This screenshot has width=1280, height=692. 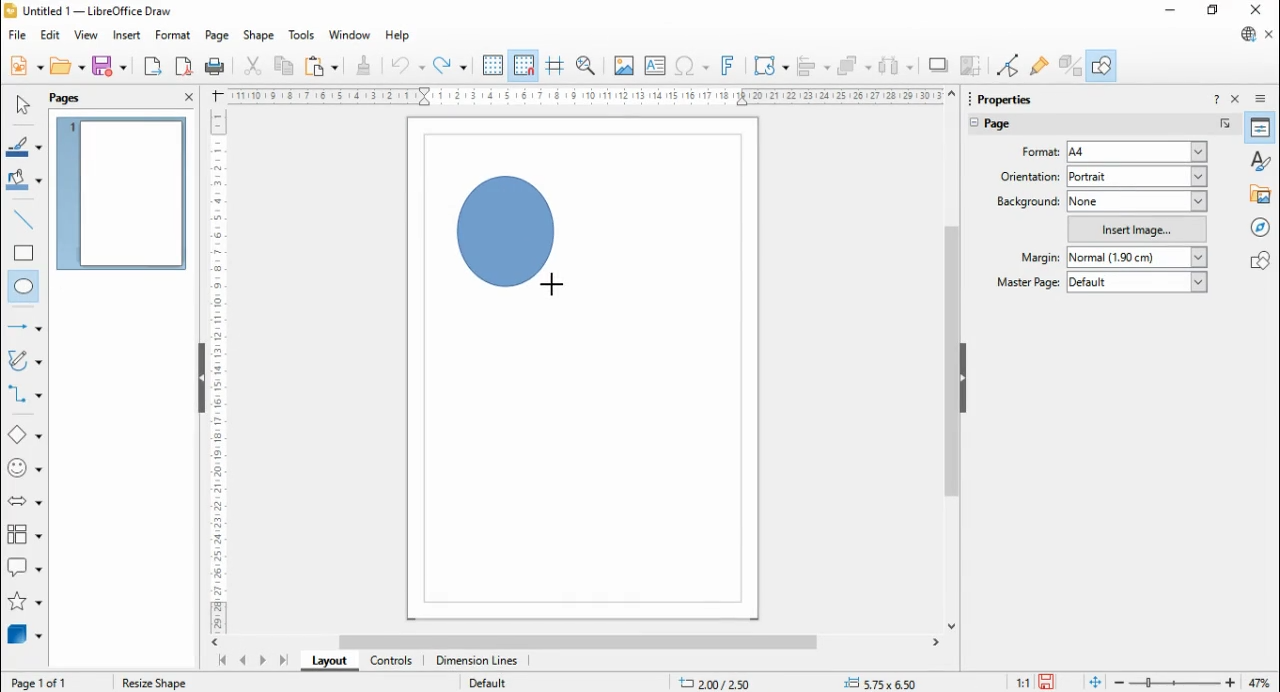 I want to click on hide, so click(x=962, y=379).